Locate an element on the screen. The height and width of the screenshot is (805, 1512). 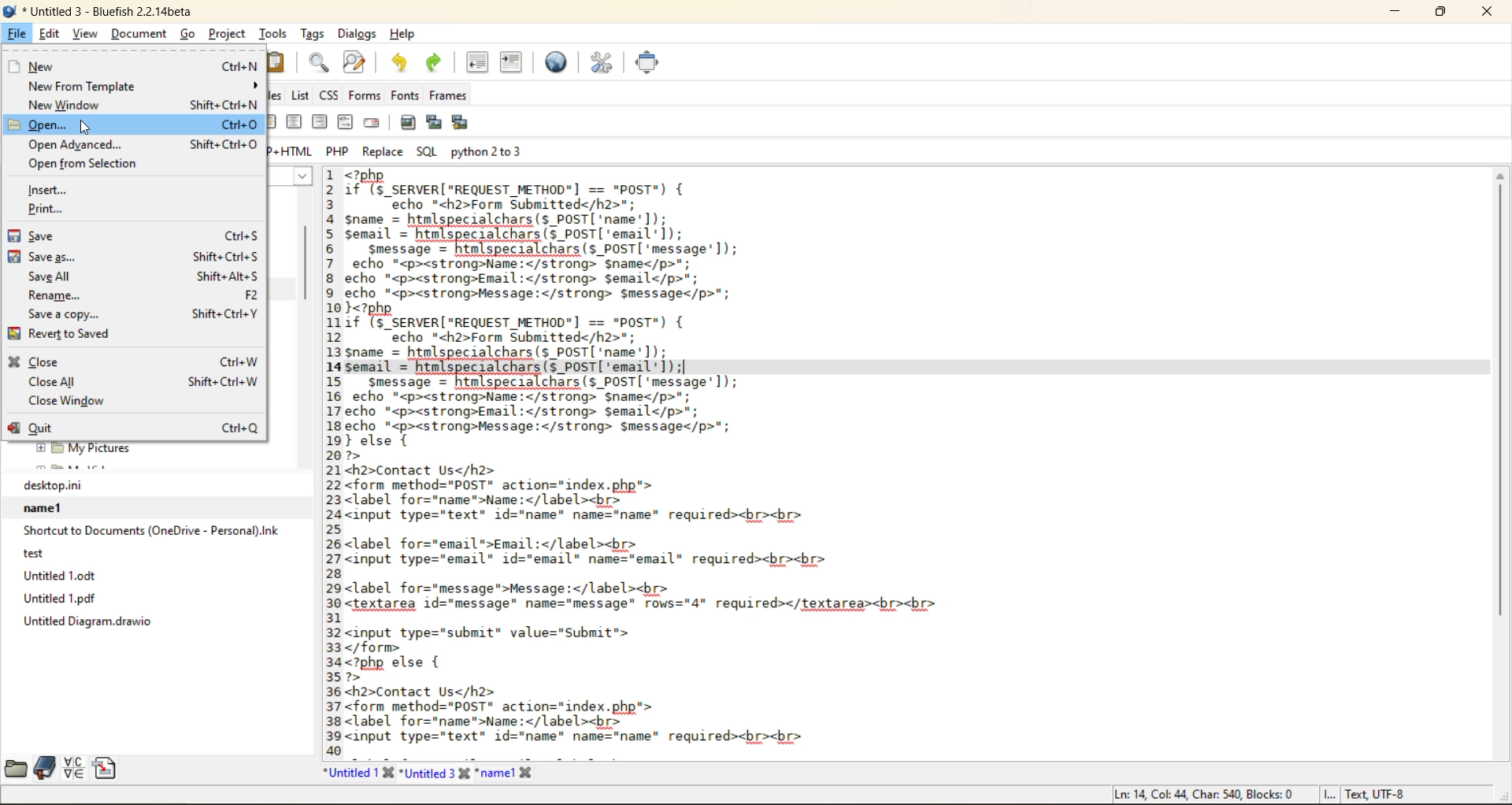
full screen is located at coordinates (649, 62).